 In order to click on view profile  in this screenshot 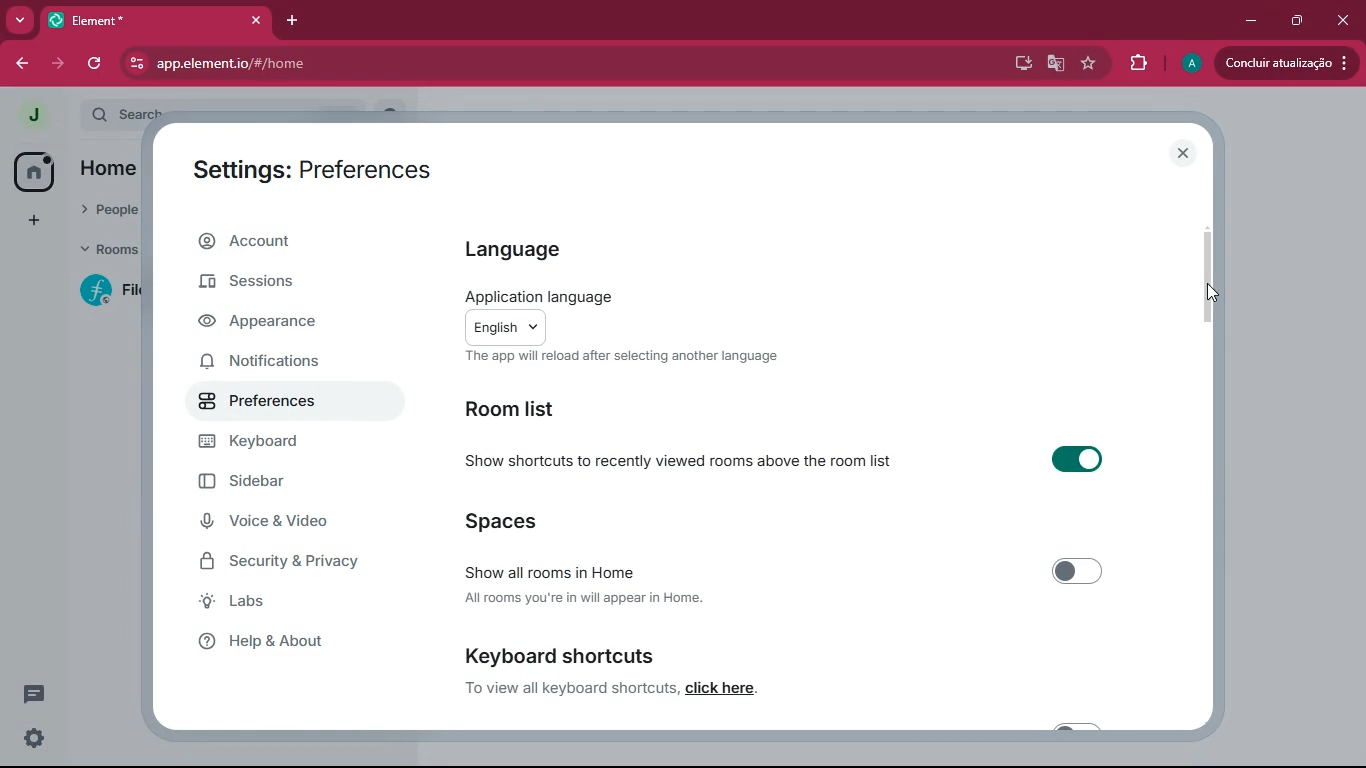, I will do `click(26, 115)`.